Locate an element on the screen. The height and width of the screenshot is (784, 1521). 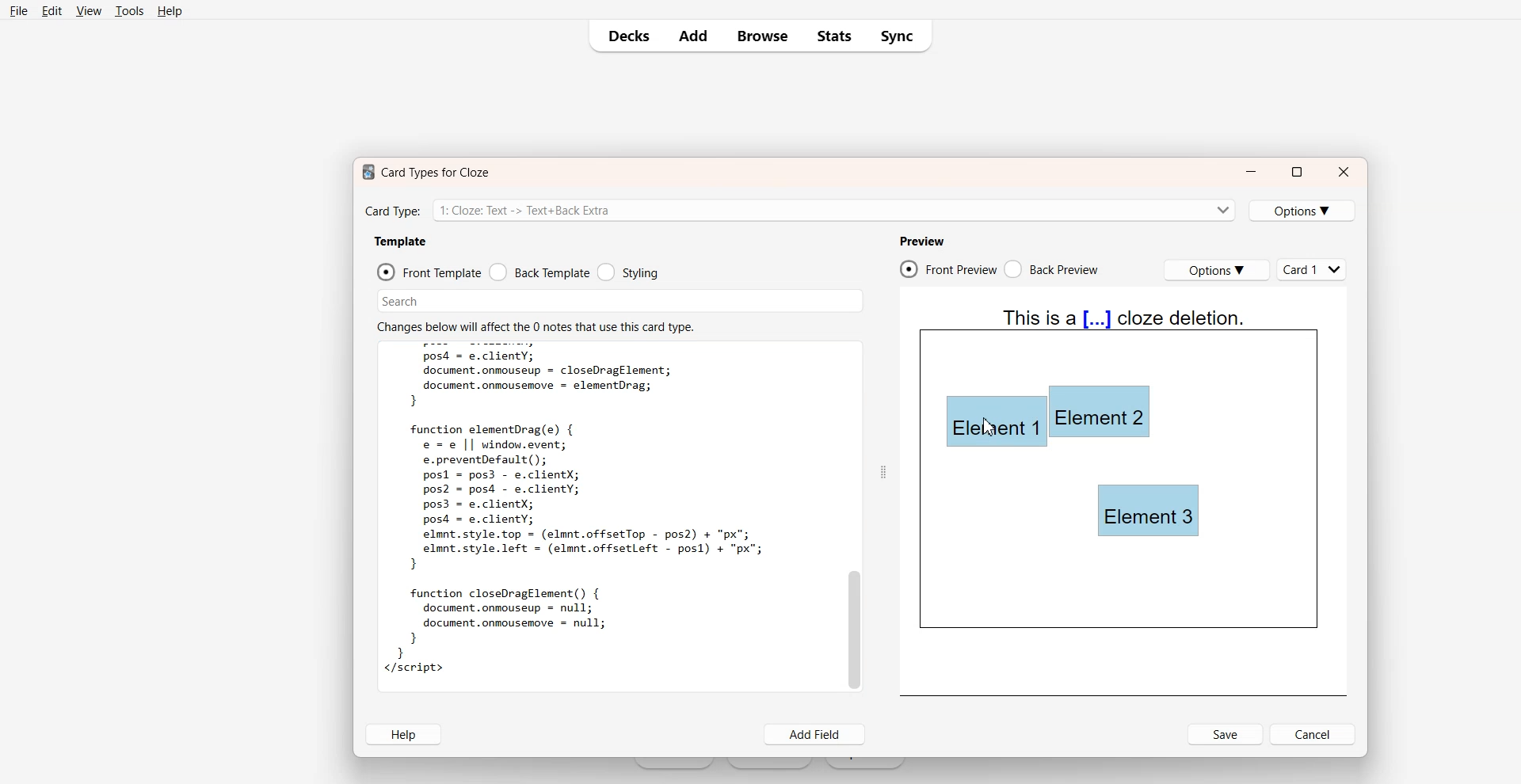
Maximize is located at coordinates (1296, 172).